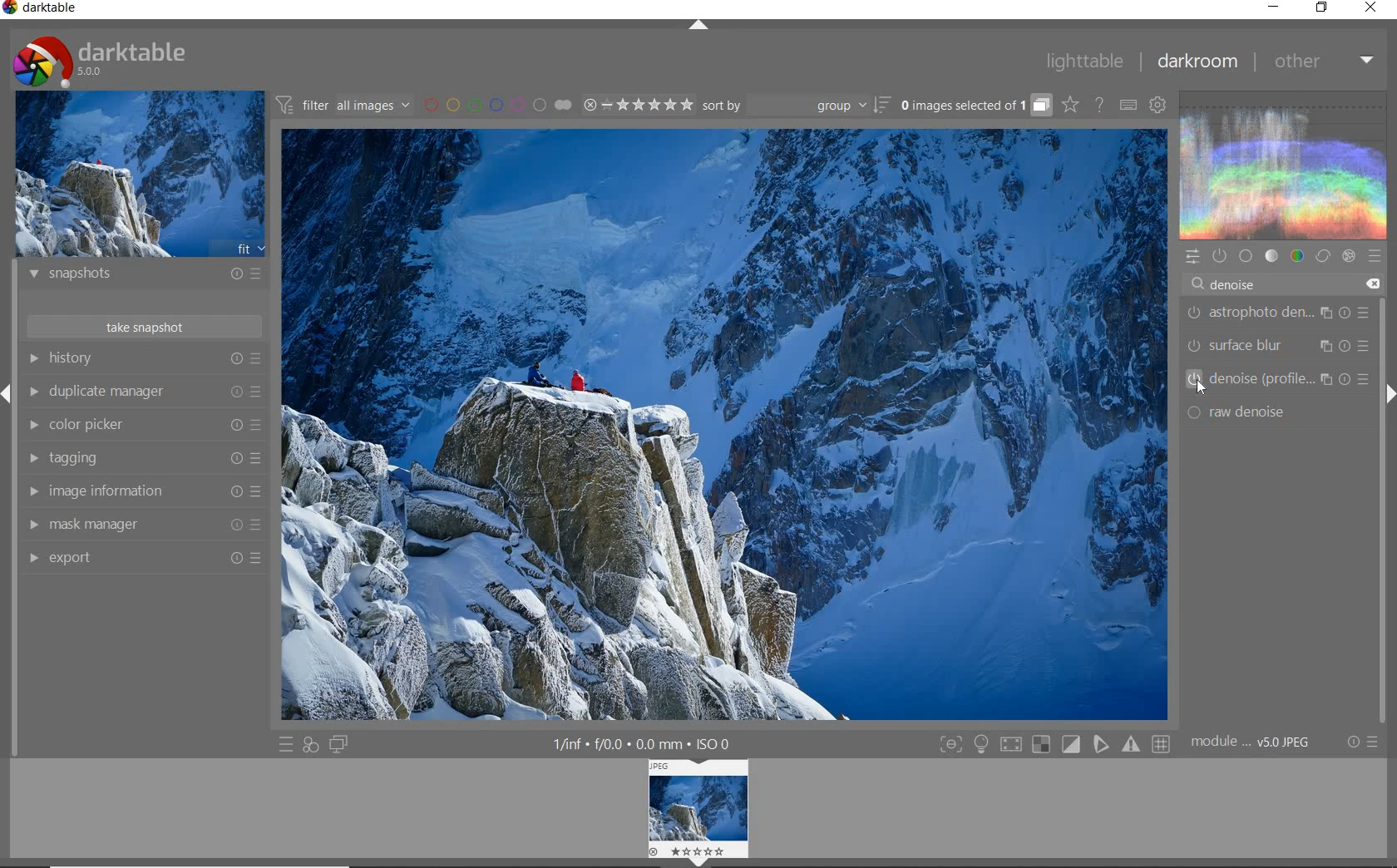  Describe the element at coordinates (141, 425) in the screenshot. I see `color picker` at that location.